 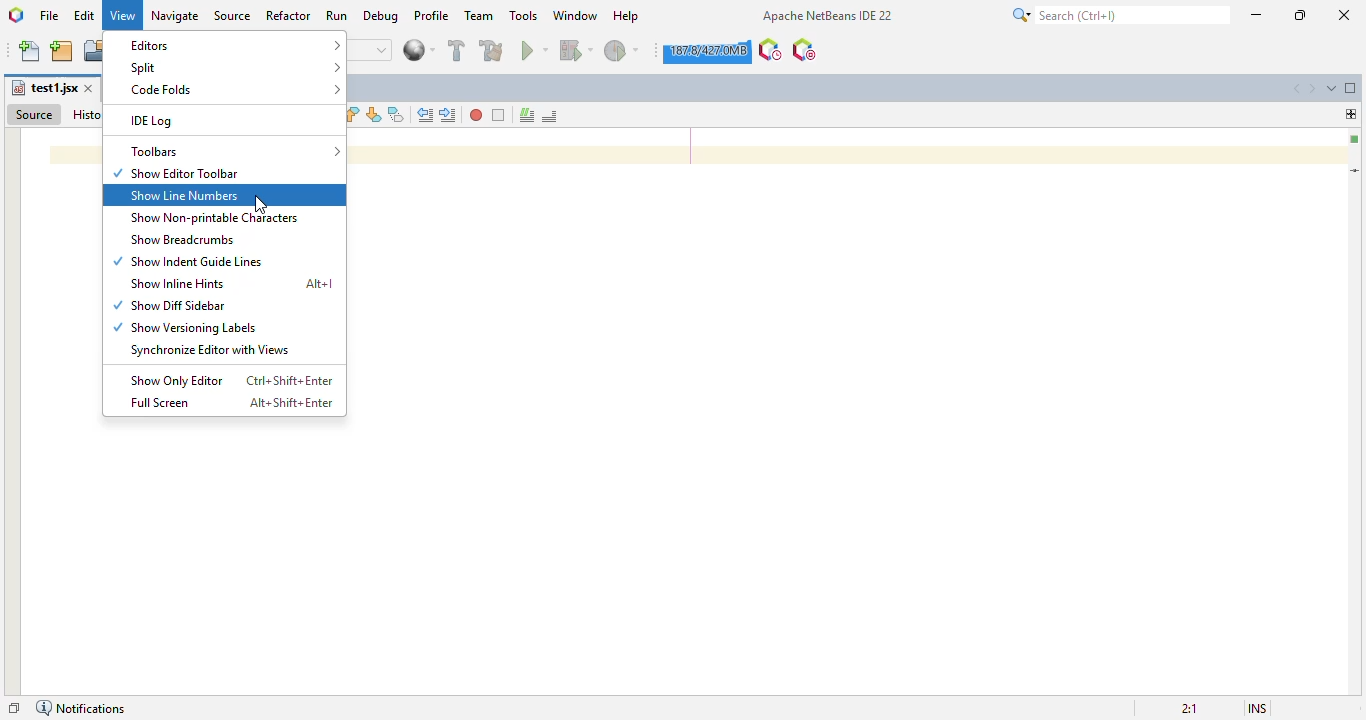 I want to click on edit, so click(x=85, y=15).